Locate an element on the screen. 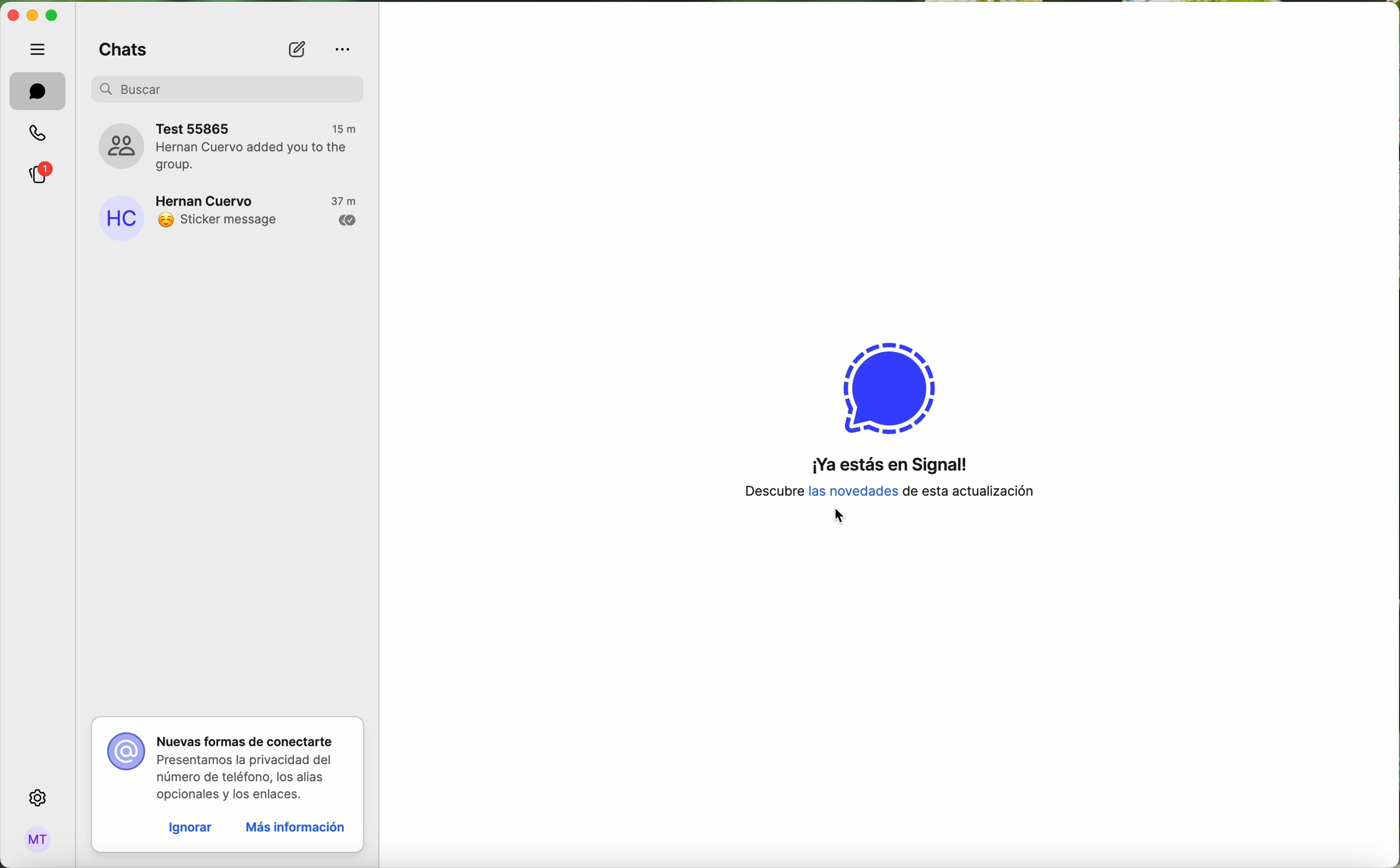 This screenshot has height=868, width=1400. ignorar is located at coordinates (189, 828).